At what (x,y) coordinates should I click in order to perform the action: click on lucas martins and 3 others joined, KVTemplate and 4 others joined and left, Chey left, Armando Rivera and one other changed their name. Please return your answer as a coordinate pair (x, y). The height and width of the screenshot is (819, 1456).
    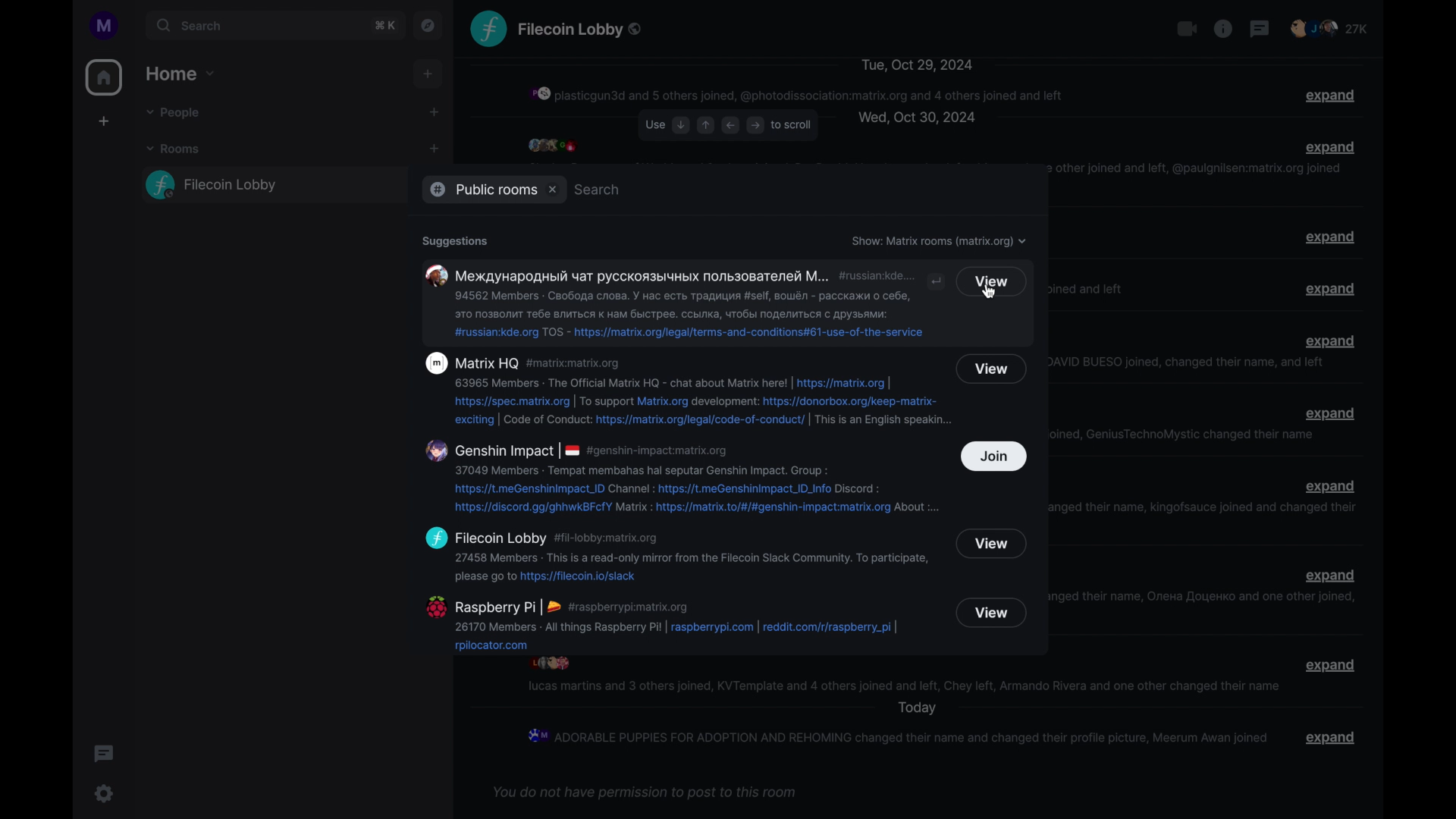
    Looking at the image, I should click on (903, 686).